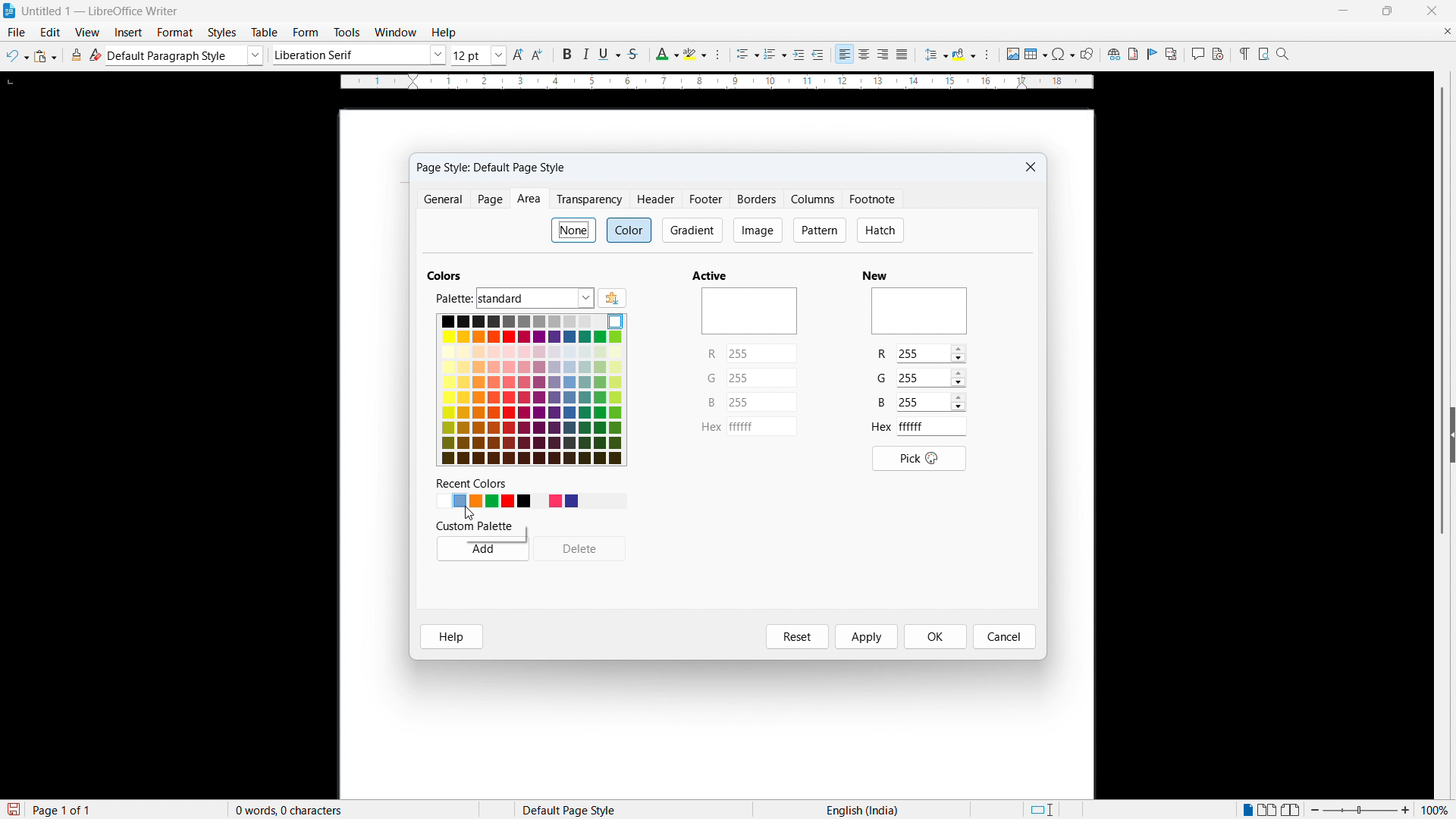 The image size is (1456, 819). I want to click on Add table , so click(1036, 54).